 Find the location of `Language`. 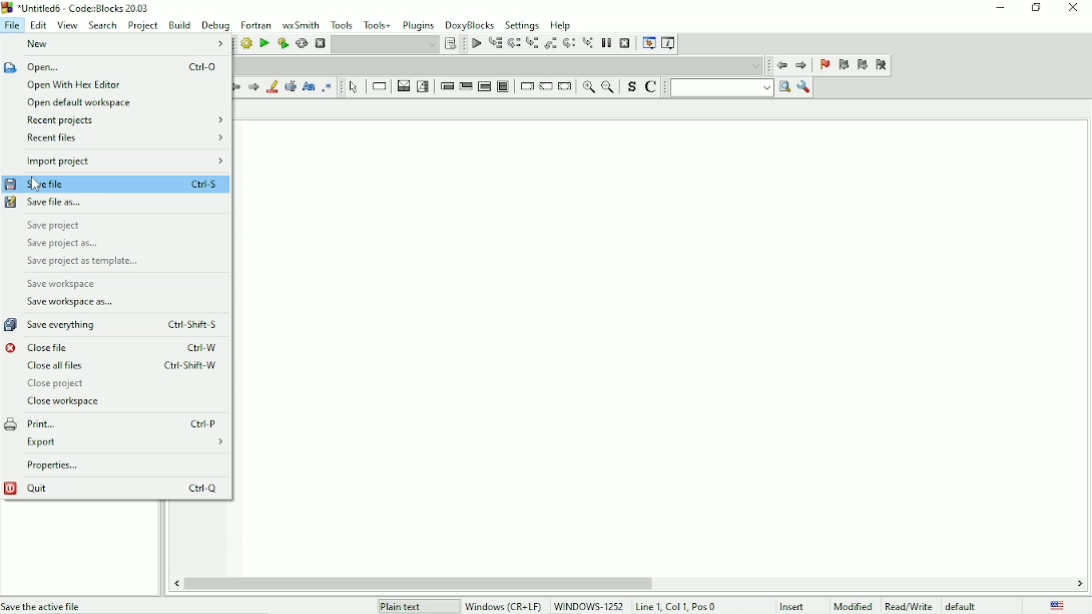

Language is located at coordinates (1058, 605).